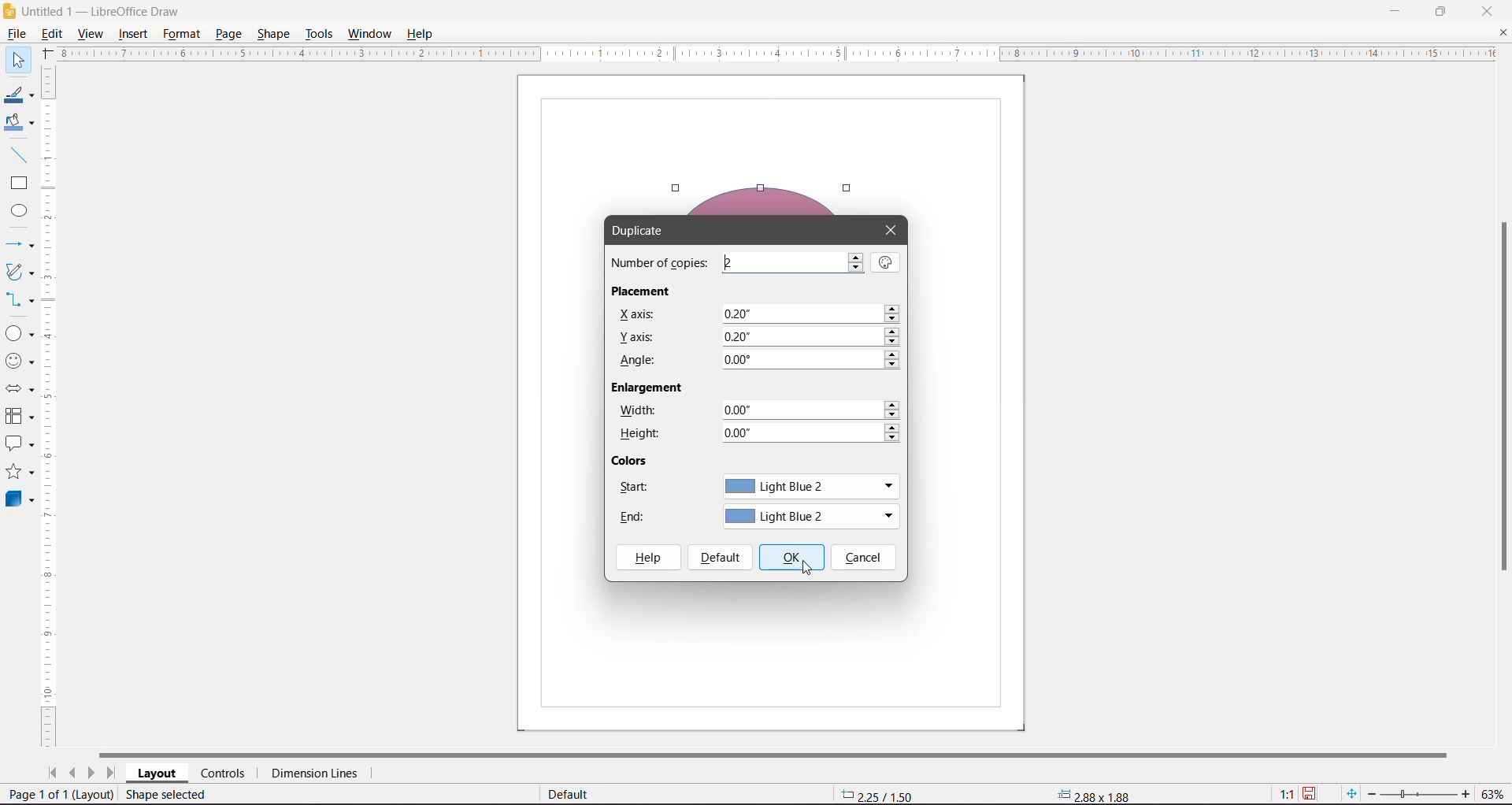 The height and width of the screenshot is (805, 1512). What do you see at coordinates (169, 795) in the screenshot?
I see `Shape selected` at bounding box center [169, 795].